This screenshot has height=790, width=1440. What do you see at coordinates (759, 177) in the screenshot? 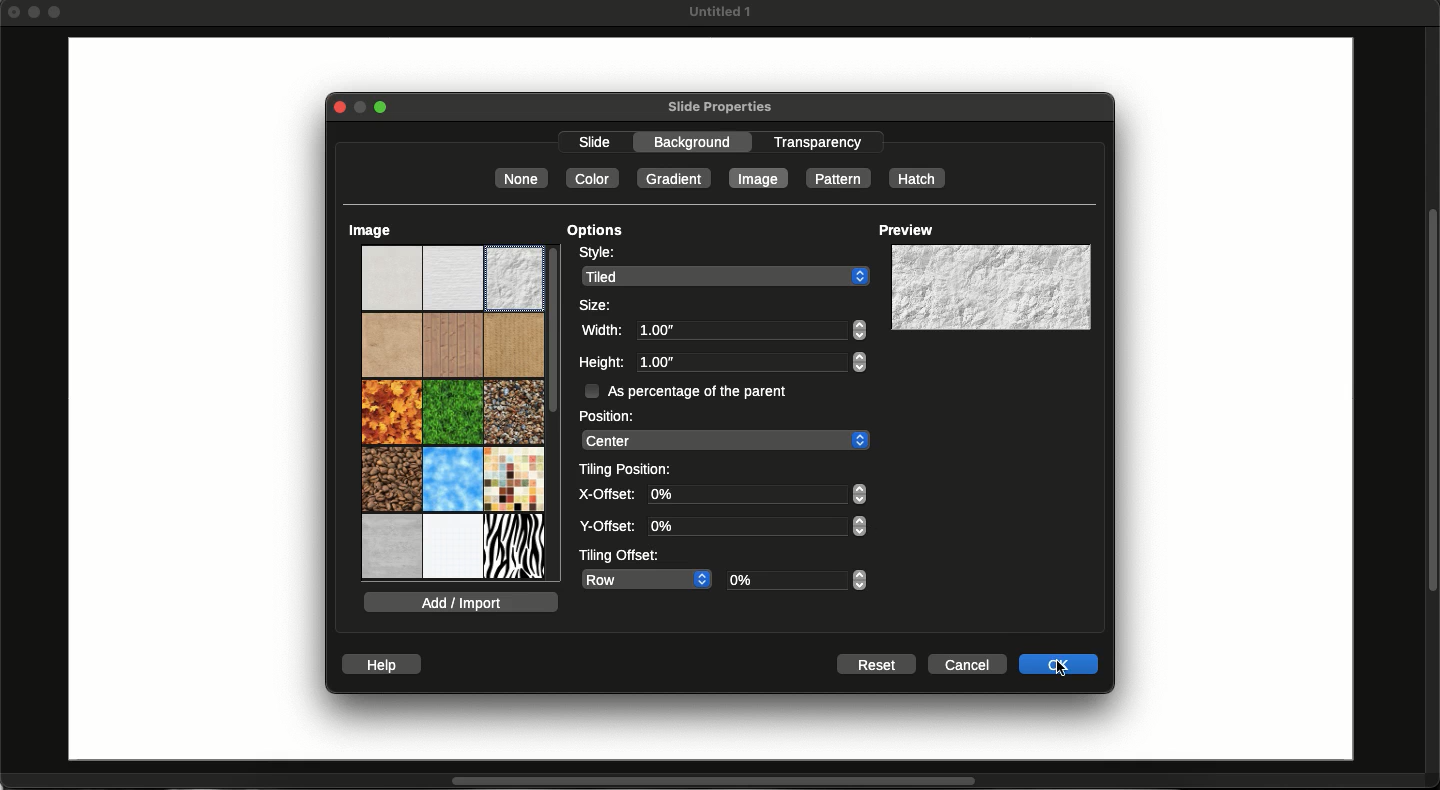
I see `Image selected` at bounding box center [759, 177].